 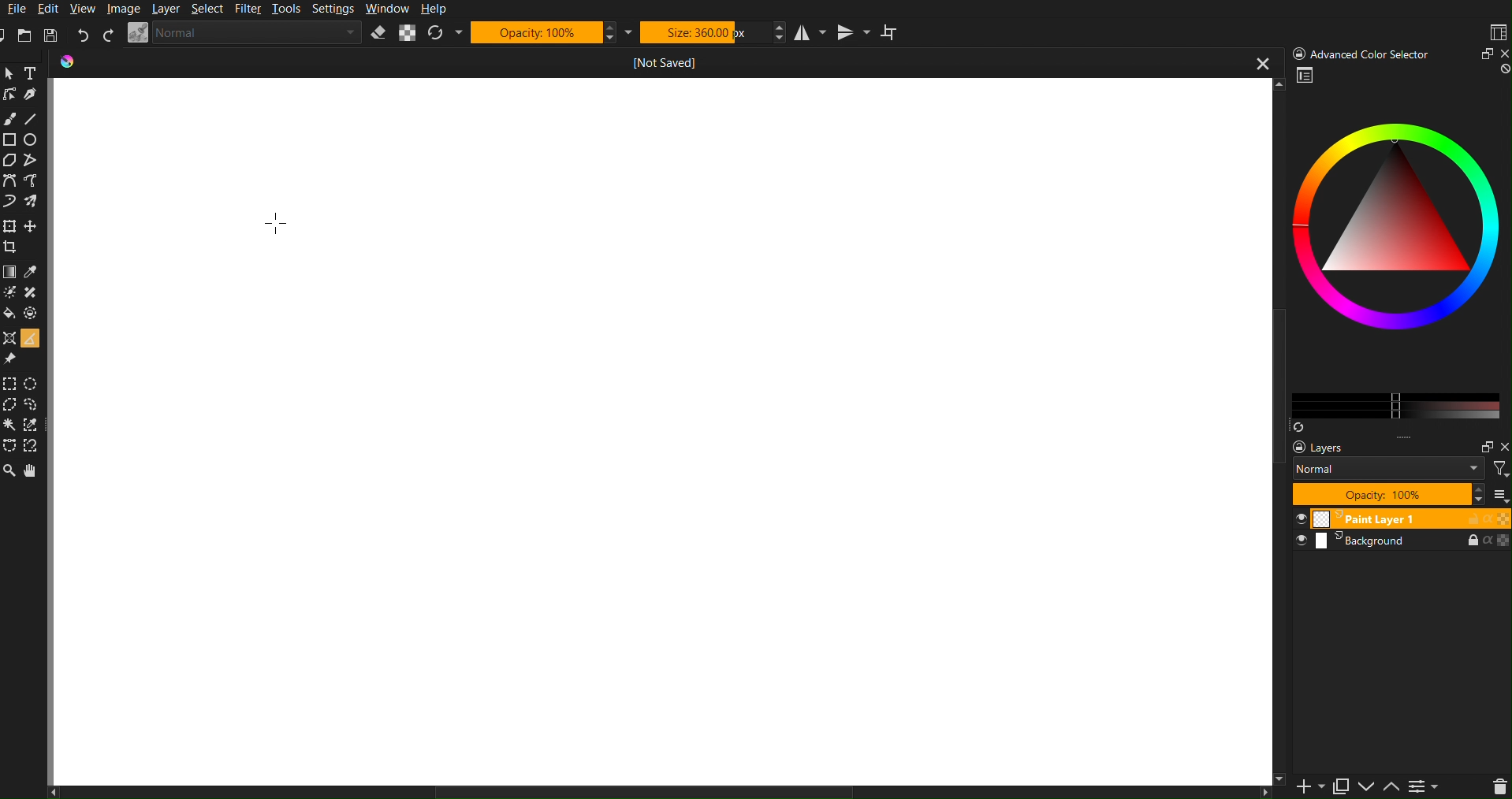 I want to click on Help, so click(x=434, y=9).